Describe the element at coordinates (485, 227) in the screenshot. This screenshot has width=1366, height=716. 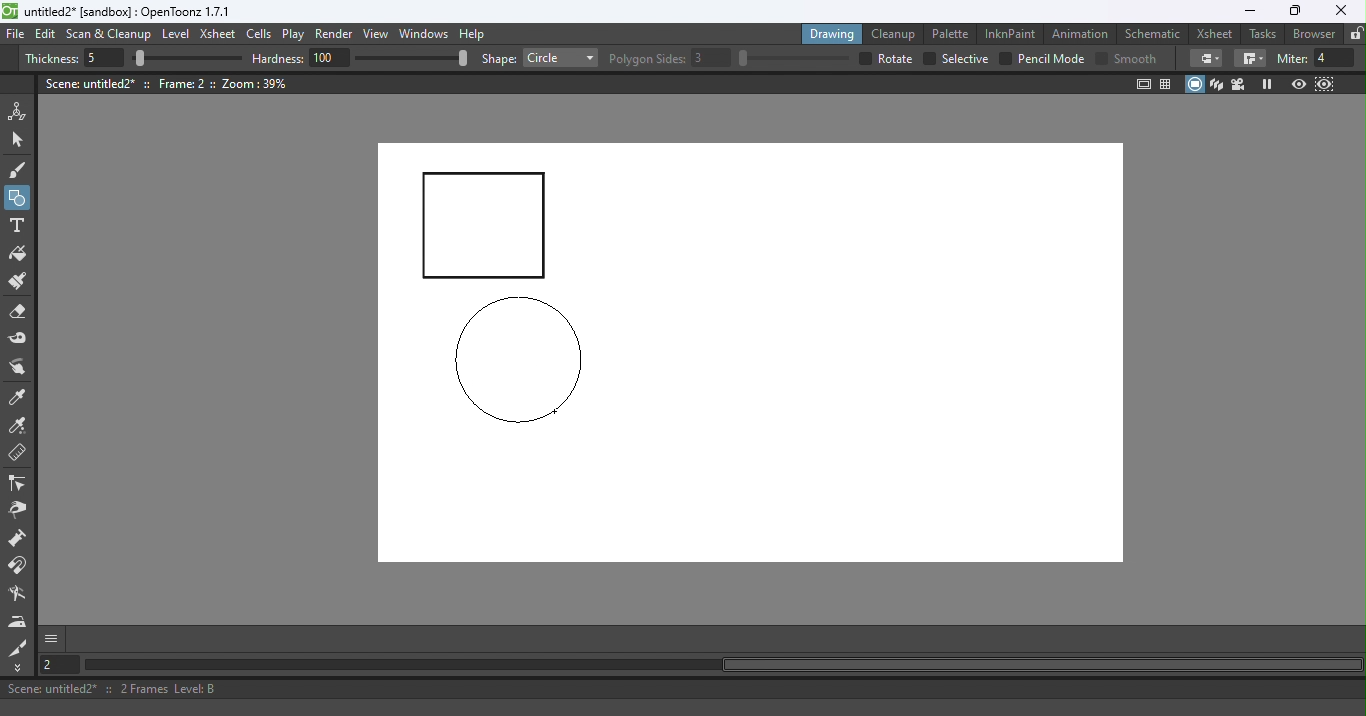
I see `Rectangle drawn` at that location.